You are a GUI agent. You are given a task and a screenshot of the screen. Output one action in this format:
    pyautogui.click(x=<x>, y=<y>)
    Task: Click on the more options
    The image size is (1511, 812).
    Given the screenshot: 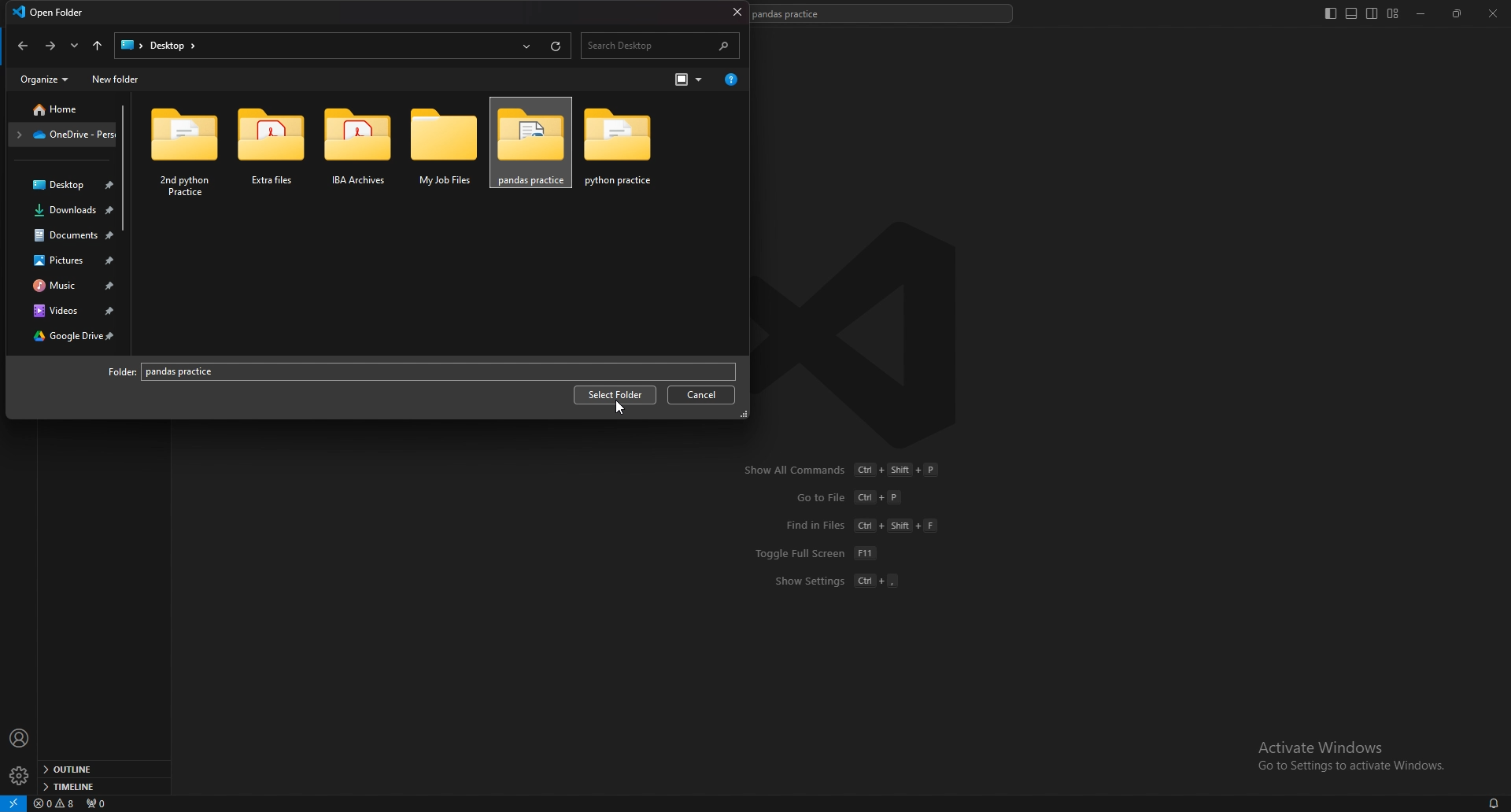 What is the action you would take?
    pyautogui.click(x=733, y=80)
    